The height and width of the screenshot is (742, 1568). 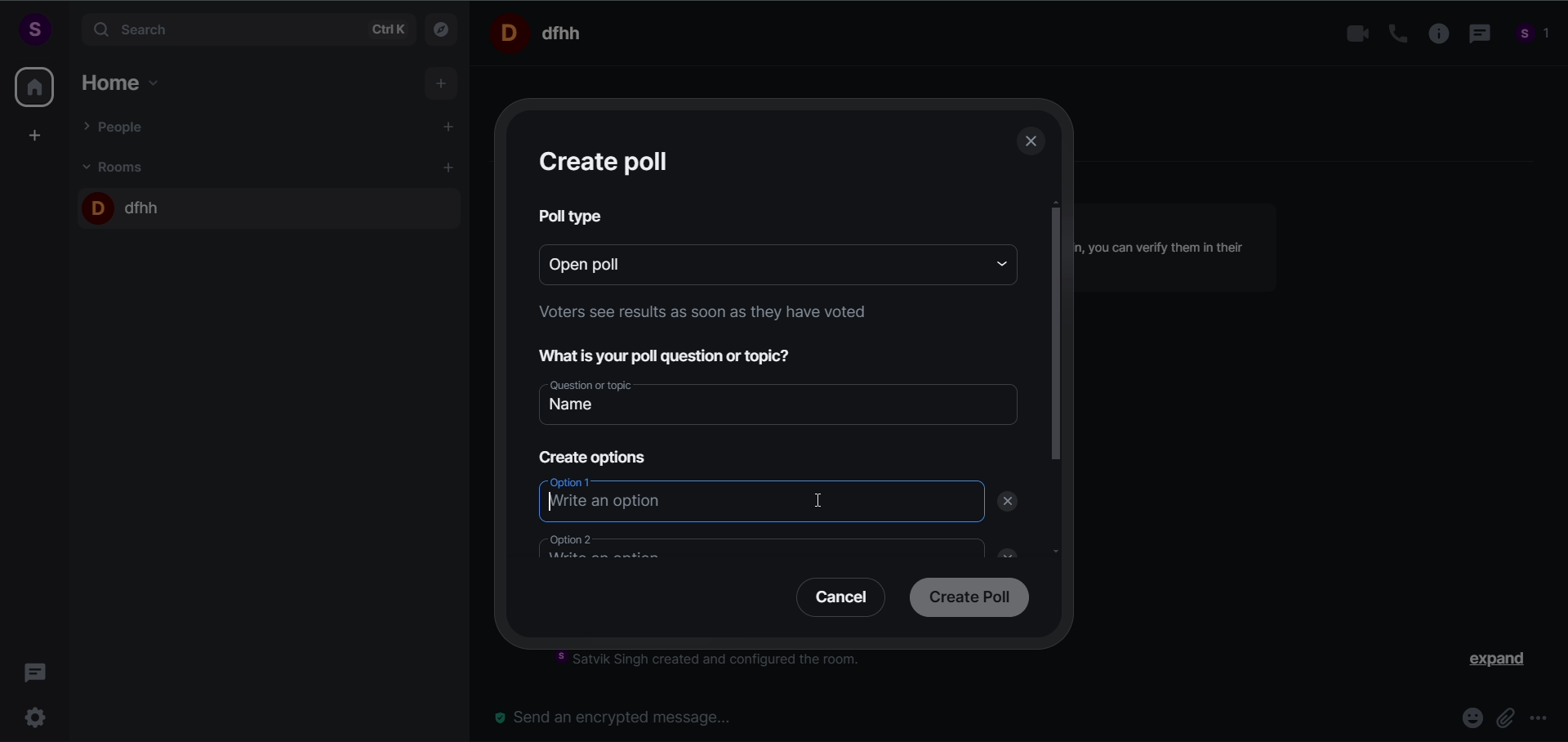 What do you see at coordinates (34, 87) in the screenshot?
I see `home` at bounding box center [34, 87].